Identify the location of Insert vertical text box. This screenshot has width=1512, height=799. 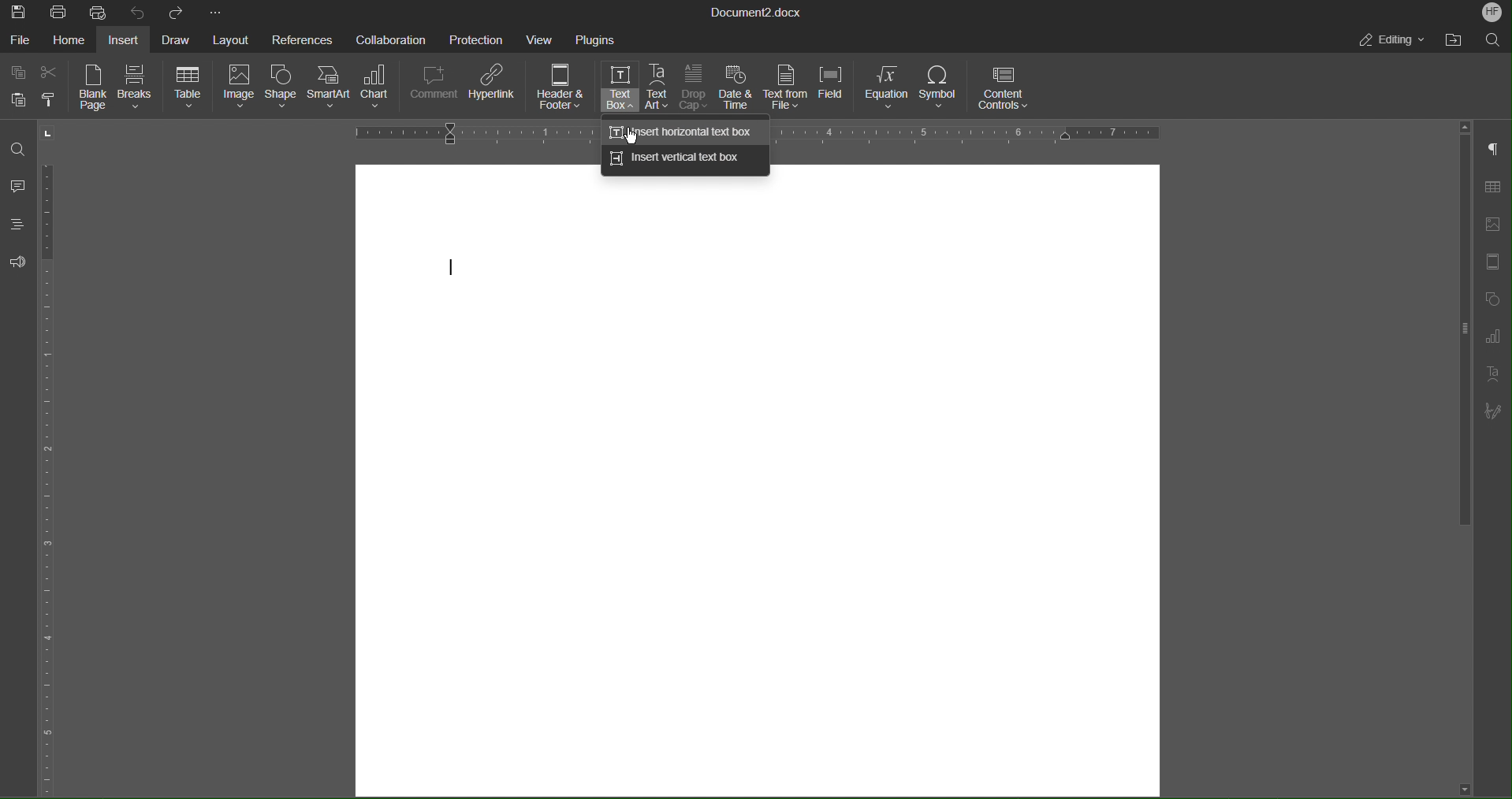
(684, 161).